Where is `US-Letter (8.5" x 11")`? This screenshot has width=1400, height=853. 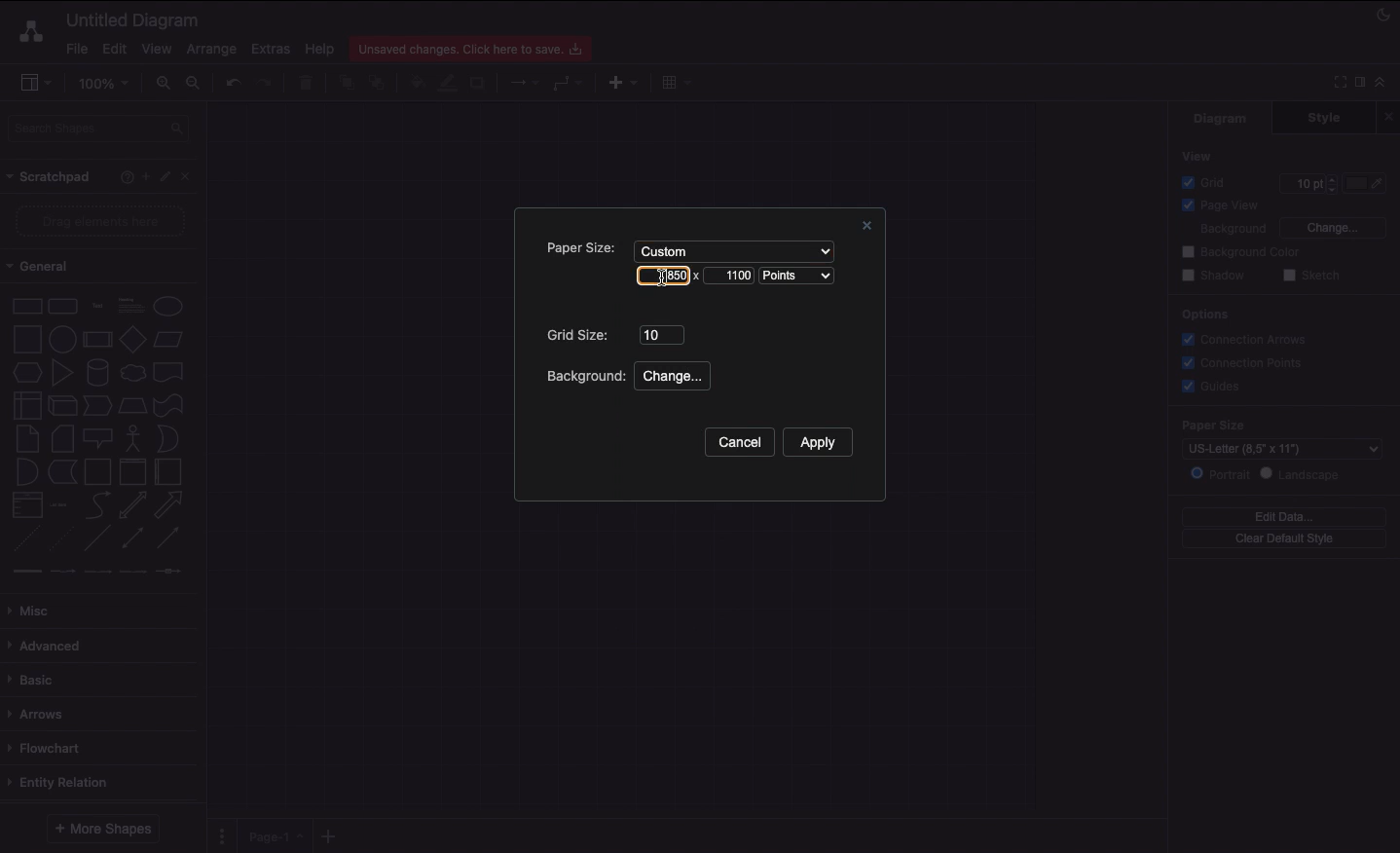 US-Letter (8.5" x 11") is located at coordinates (1279, 447).